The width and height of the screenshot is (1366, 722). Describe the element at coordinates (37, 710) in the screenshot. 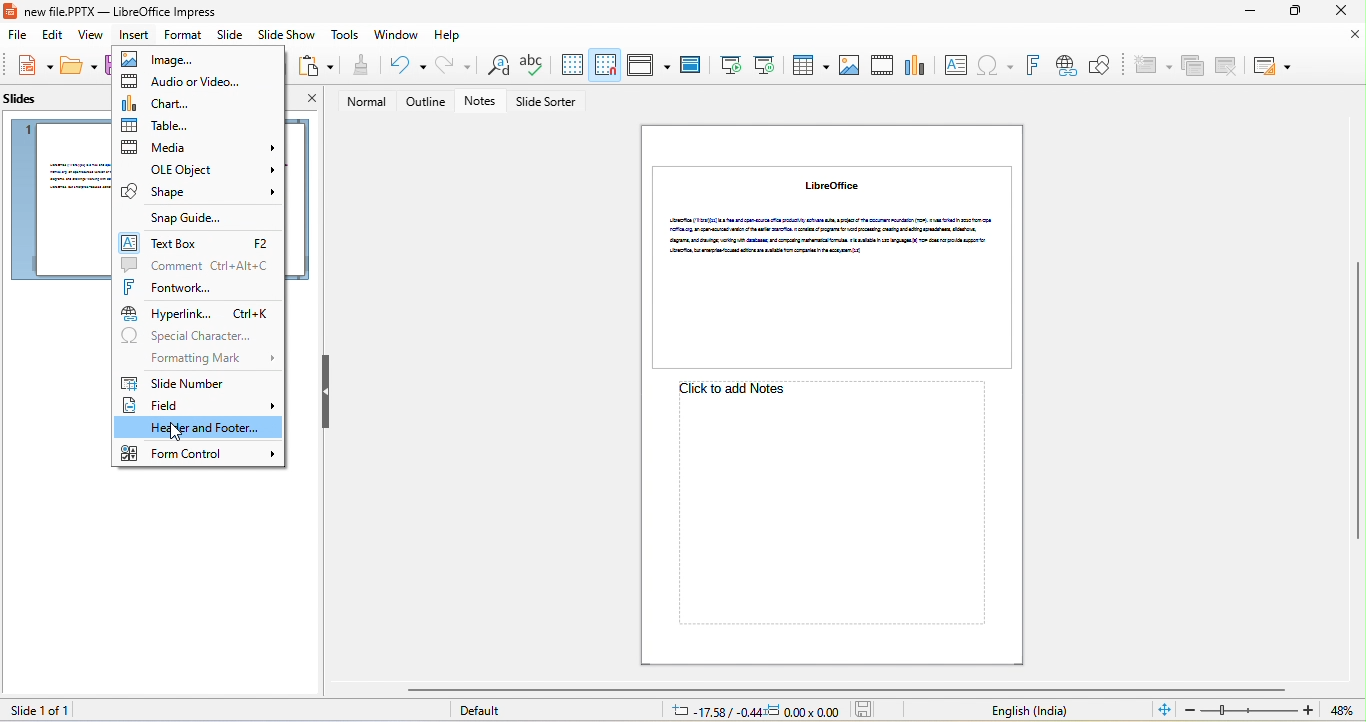

I see `slide 1 of 1` at that location.